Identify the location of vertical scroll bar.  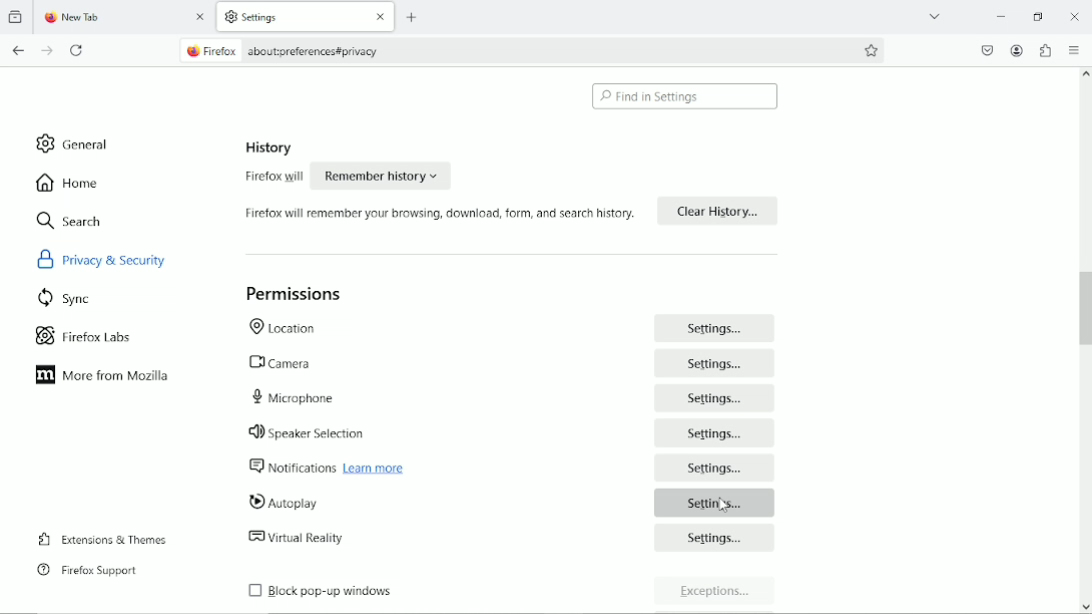
(1084, 309).